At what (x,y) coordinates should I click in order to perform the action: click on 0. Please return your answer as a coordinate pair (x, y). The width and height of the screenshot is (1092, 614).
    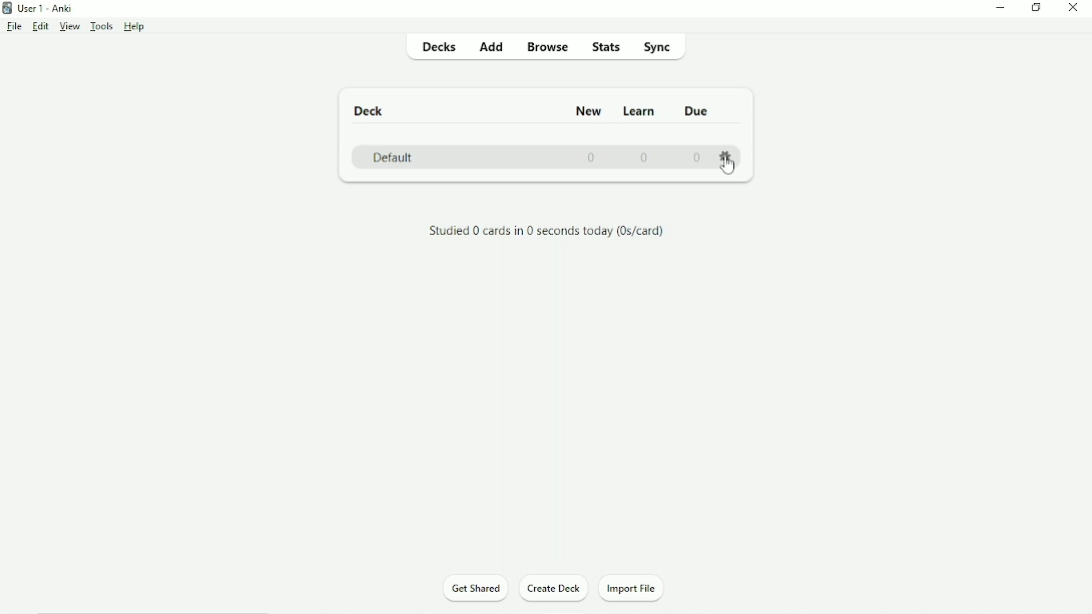
    Looking at the image, I should click on (589, 158).